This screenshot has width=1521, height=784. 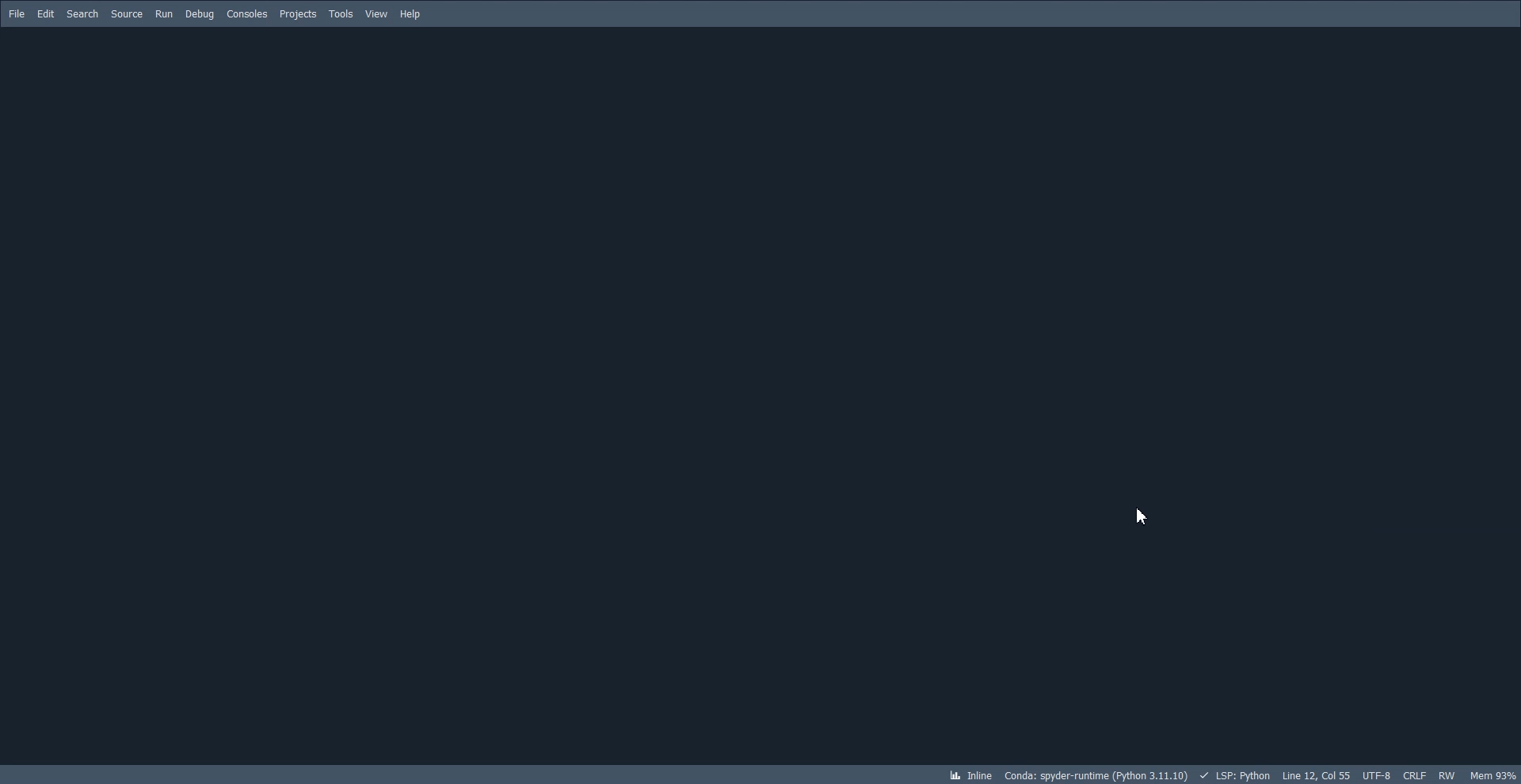 I want to click on Debug, so click(x=200, y=14).